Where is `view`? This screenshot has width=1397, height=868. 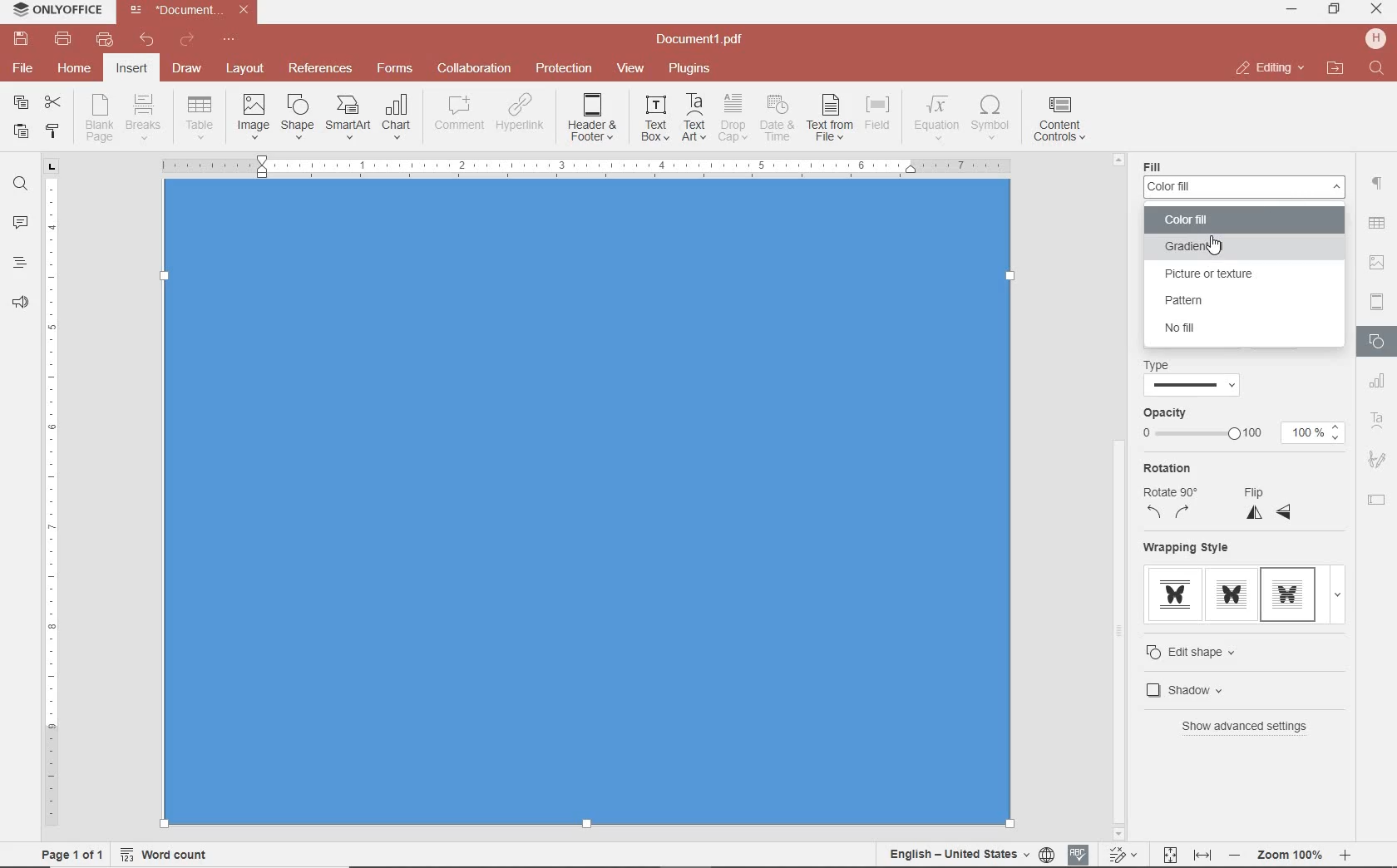
view is located at coordinates (630, 69).